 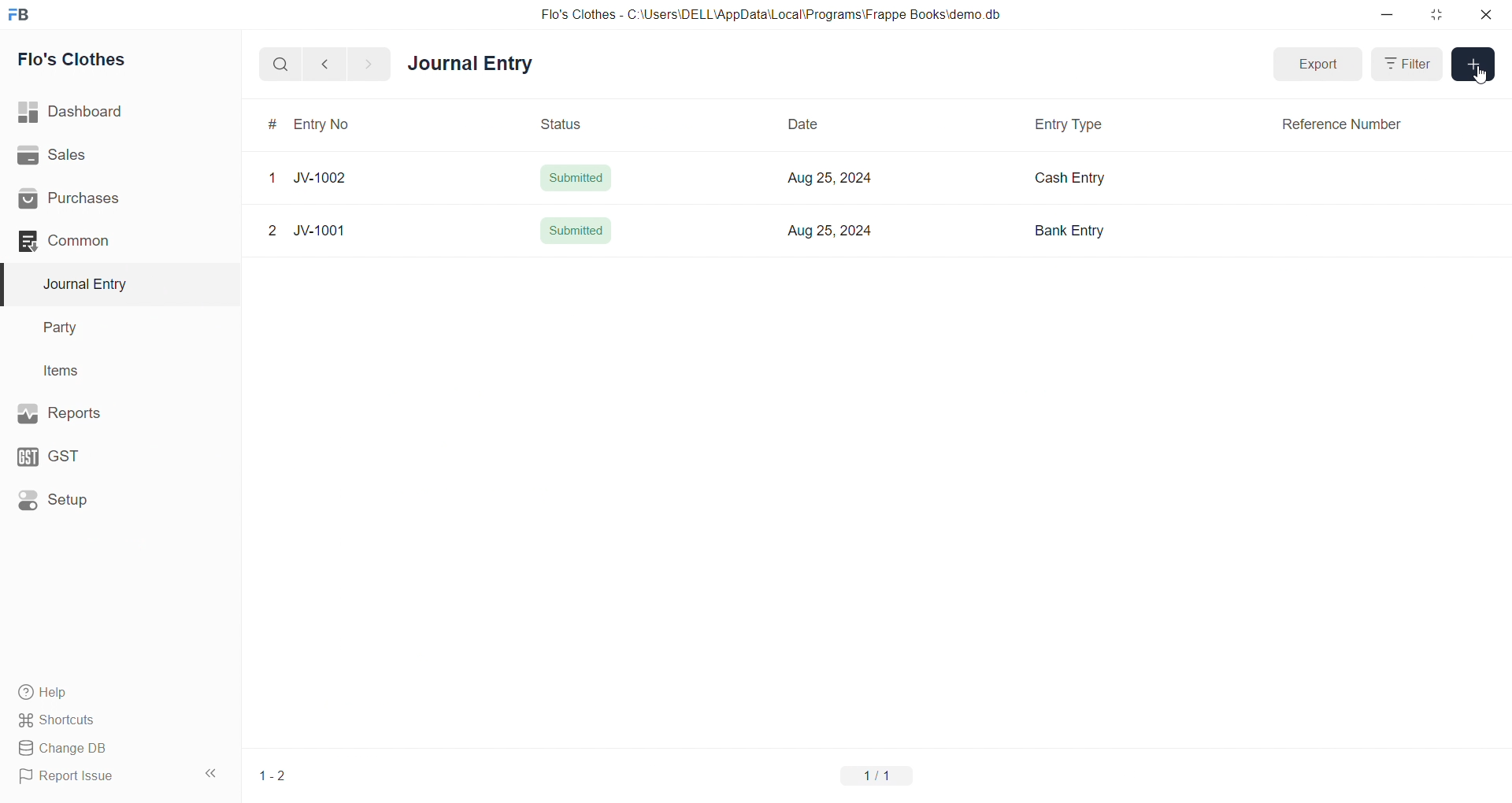 What do you see at coordinates (576, 178) in the screenshot?
I see `Submitted` at bounding box center [576, 178].